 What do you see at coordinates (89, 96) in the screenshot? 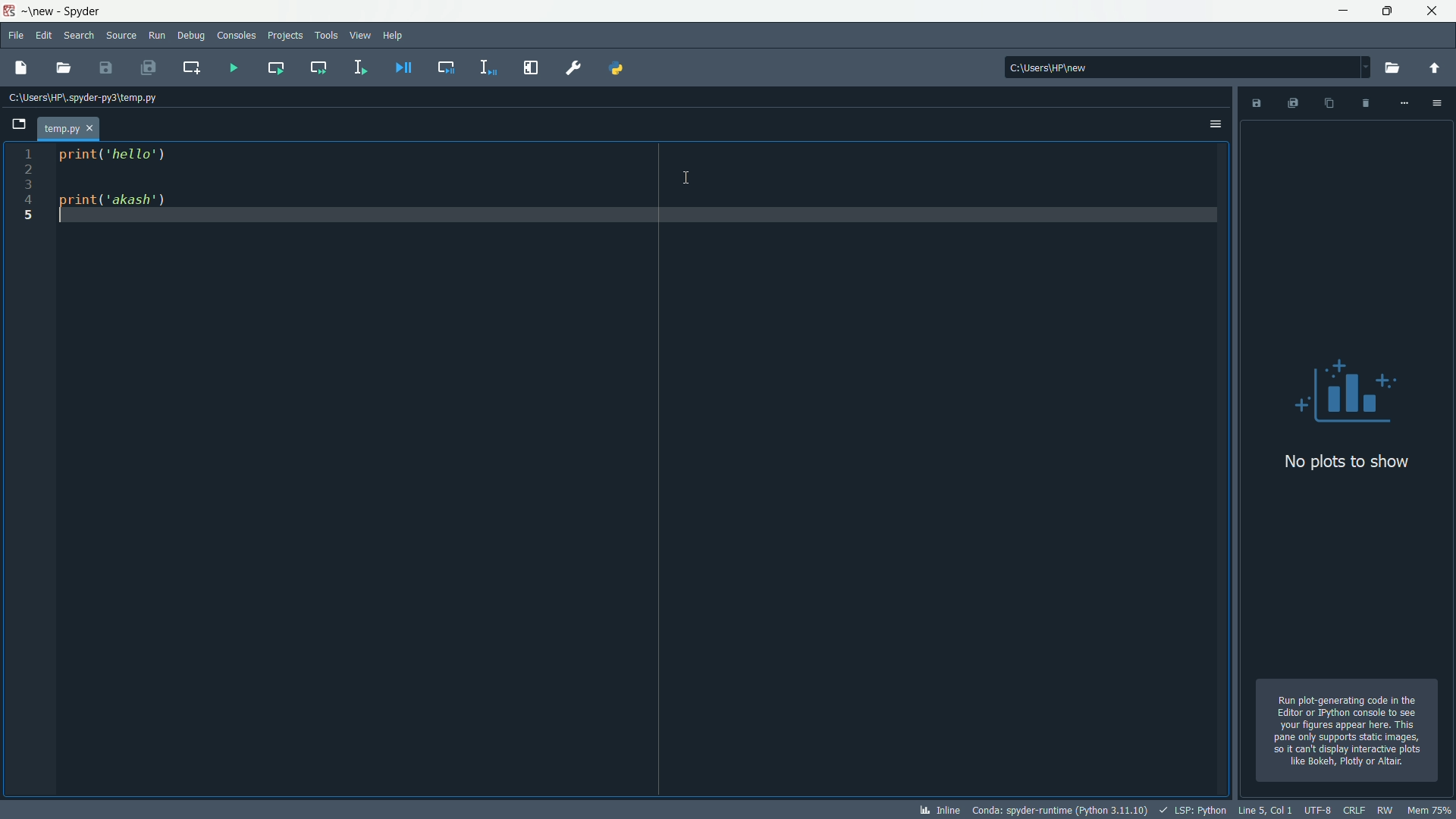
I see `Current path` at bounding box center [89, 96].